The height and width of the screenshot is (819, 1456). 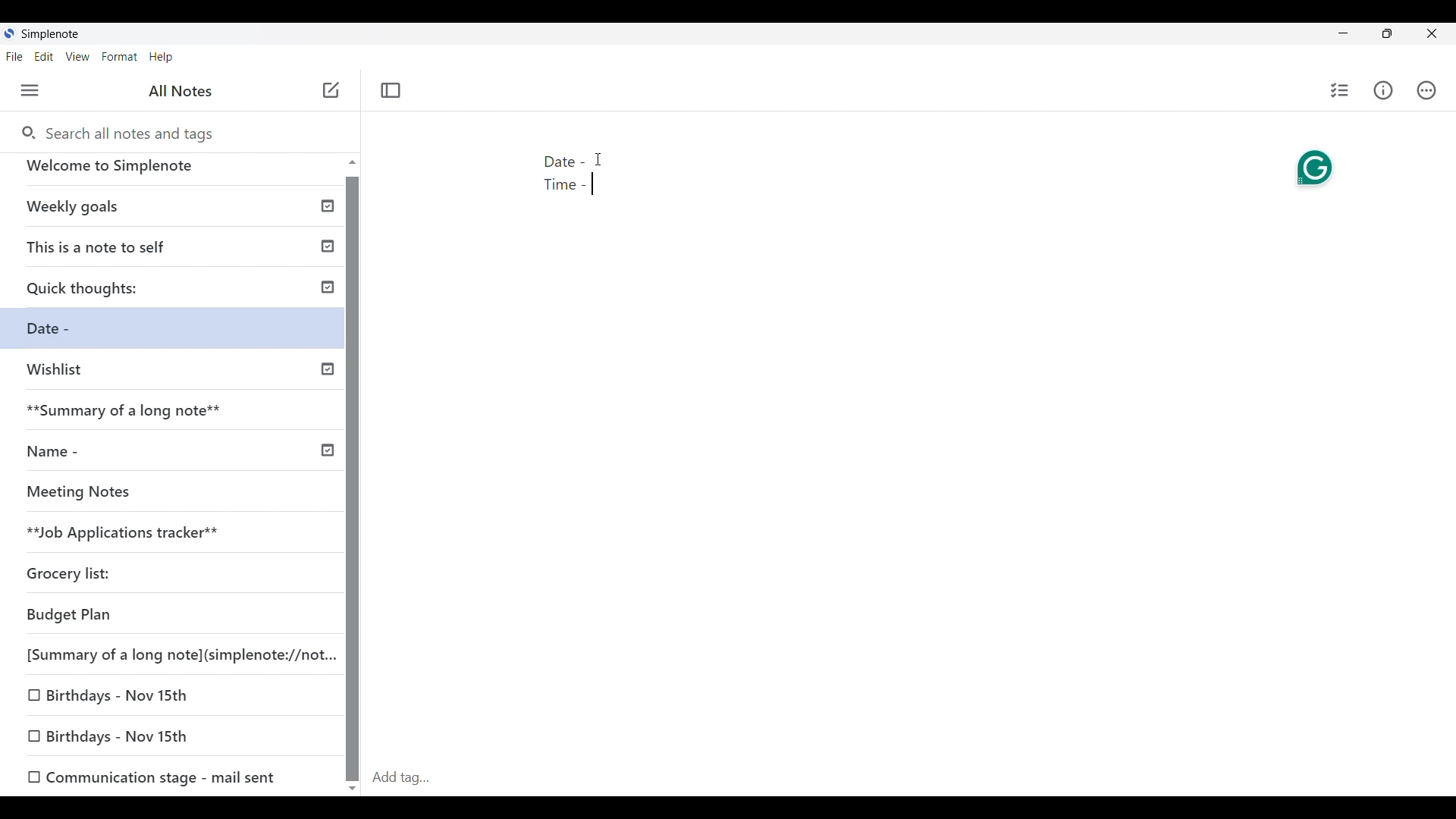 I want to click on Edit menu, so click(x=44, y=56).